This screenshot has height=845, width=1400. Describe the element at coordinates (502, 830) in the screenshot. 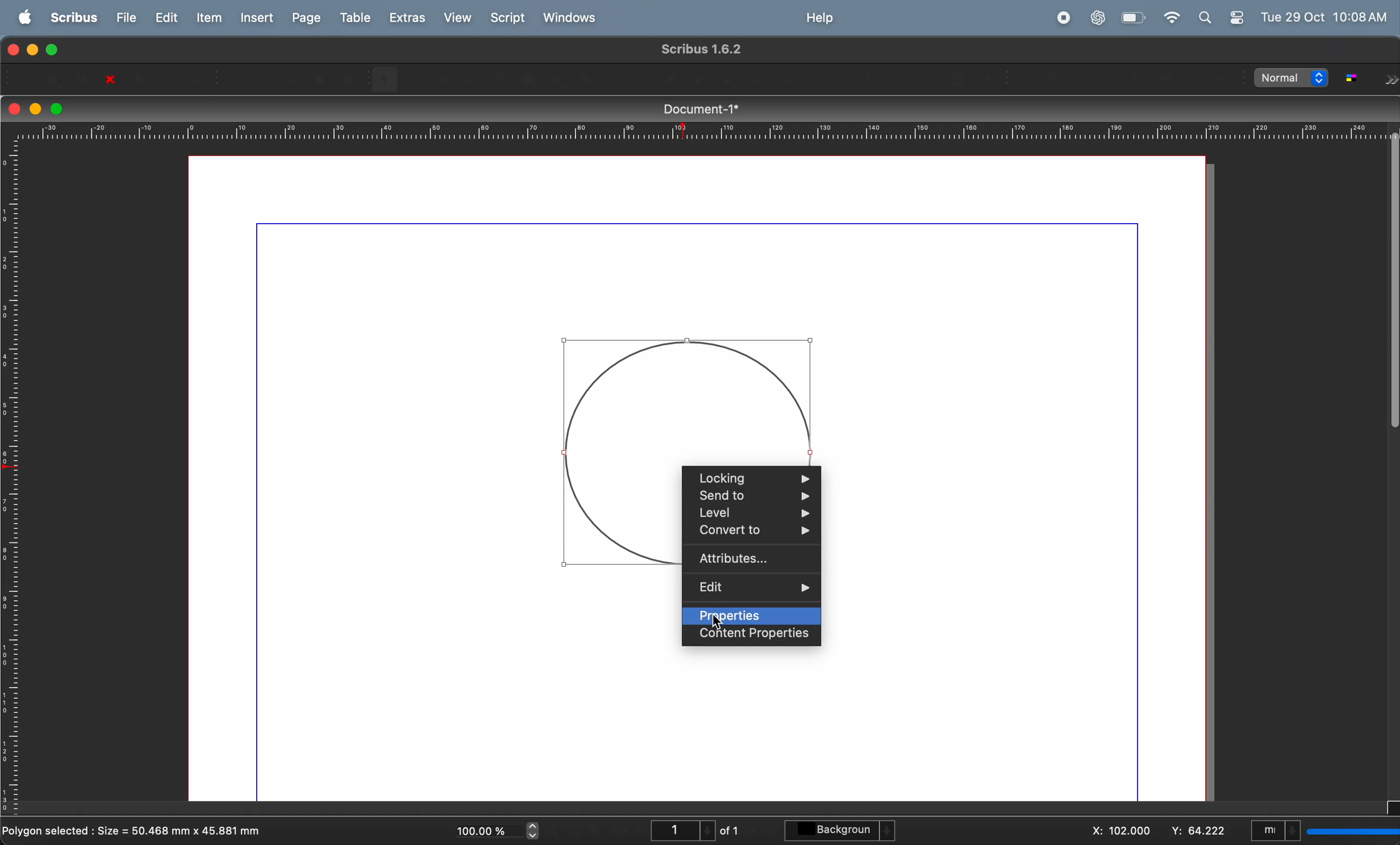

I see `current zoom level` at that location.